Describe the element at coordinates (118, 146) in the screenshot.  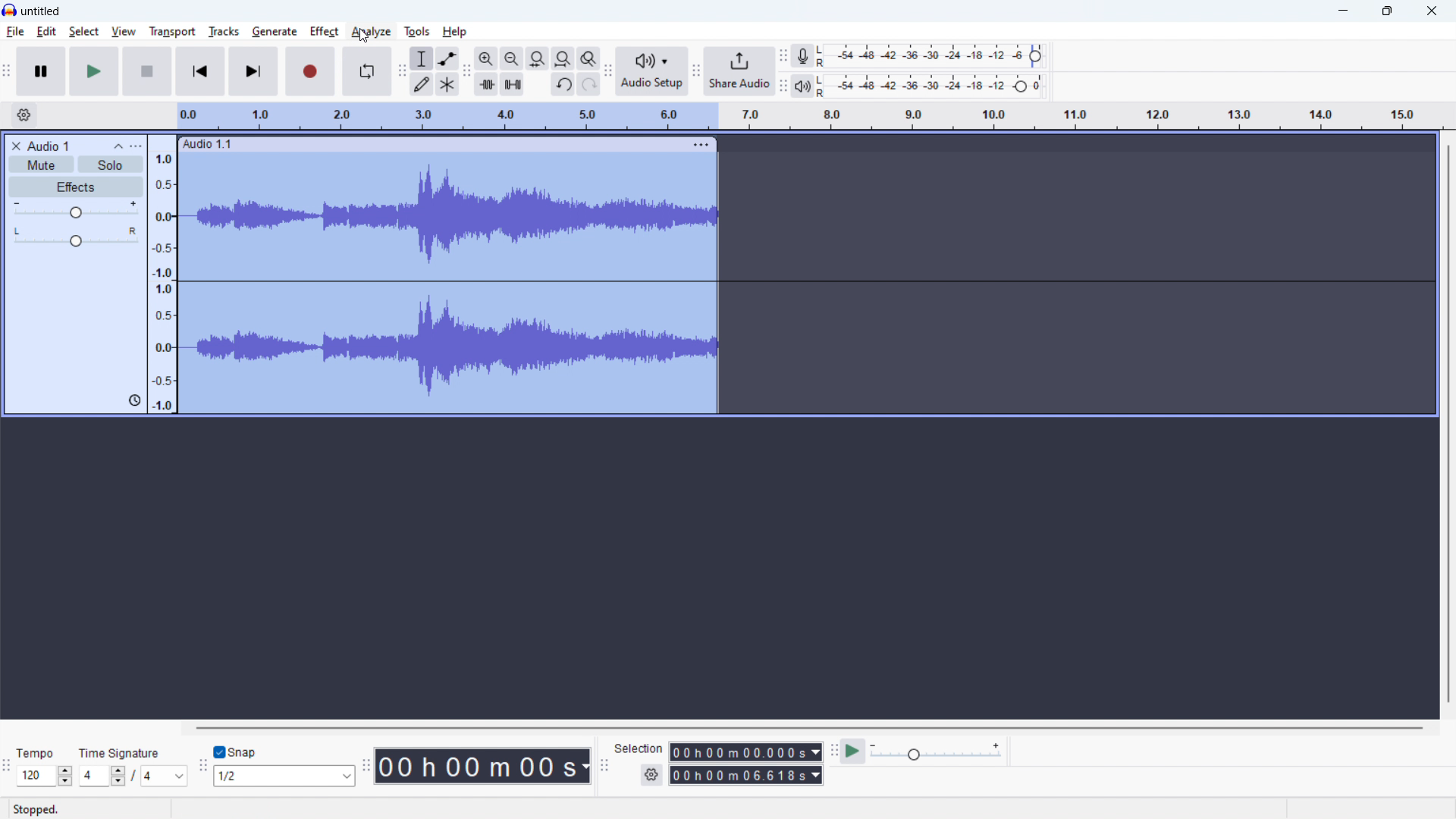
I see `collapse` at that location.